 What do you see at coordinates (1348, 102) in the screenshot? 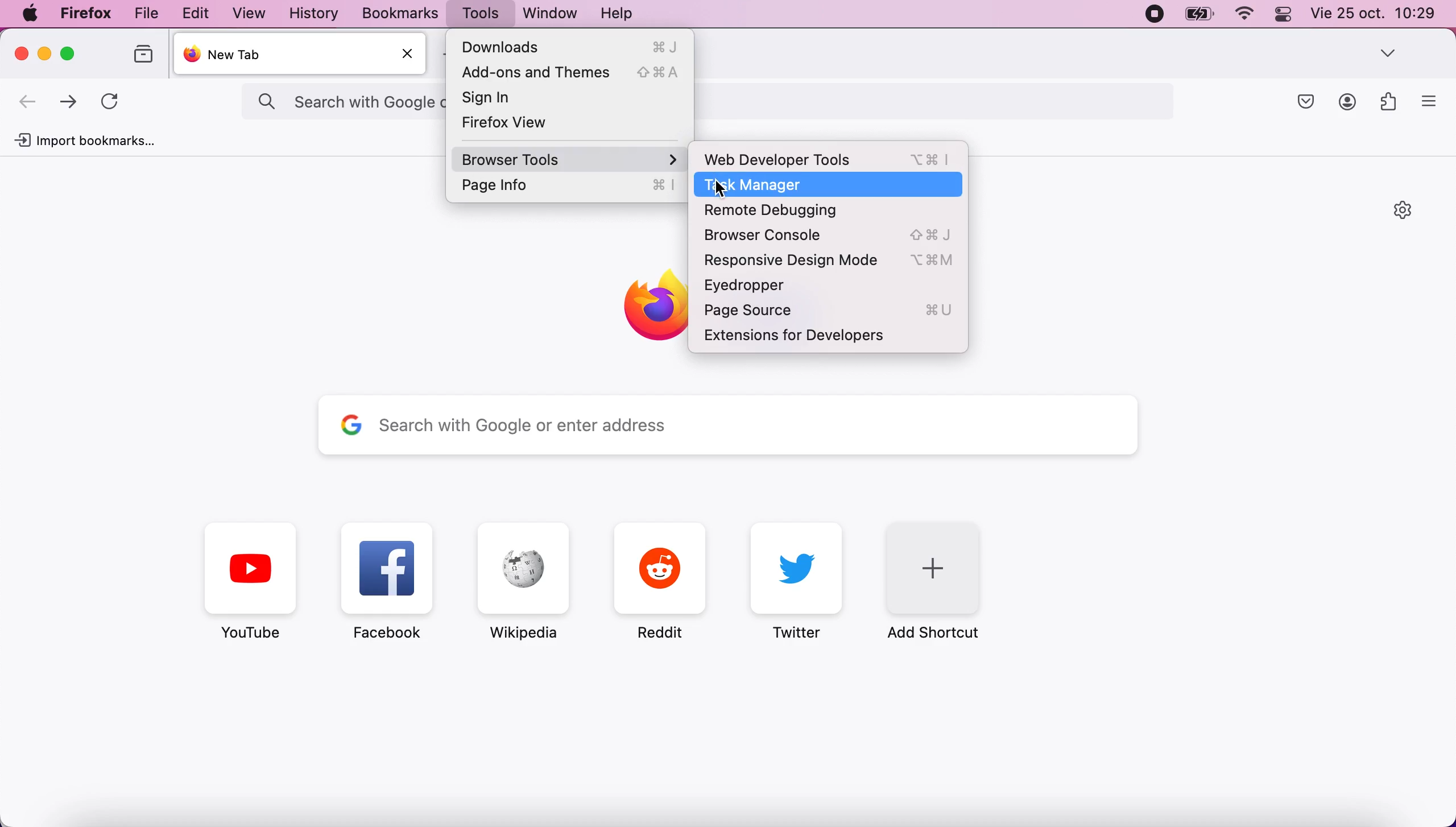
I see `Profile` at bounding box center [1348, 102].